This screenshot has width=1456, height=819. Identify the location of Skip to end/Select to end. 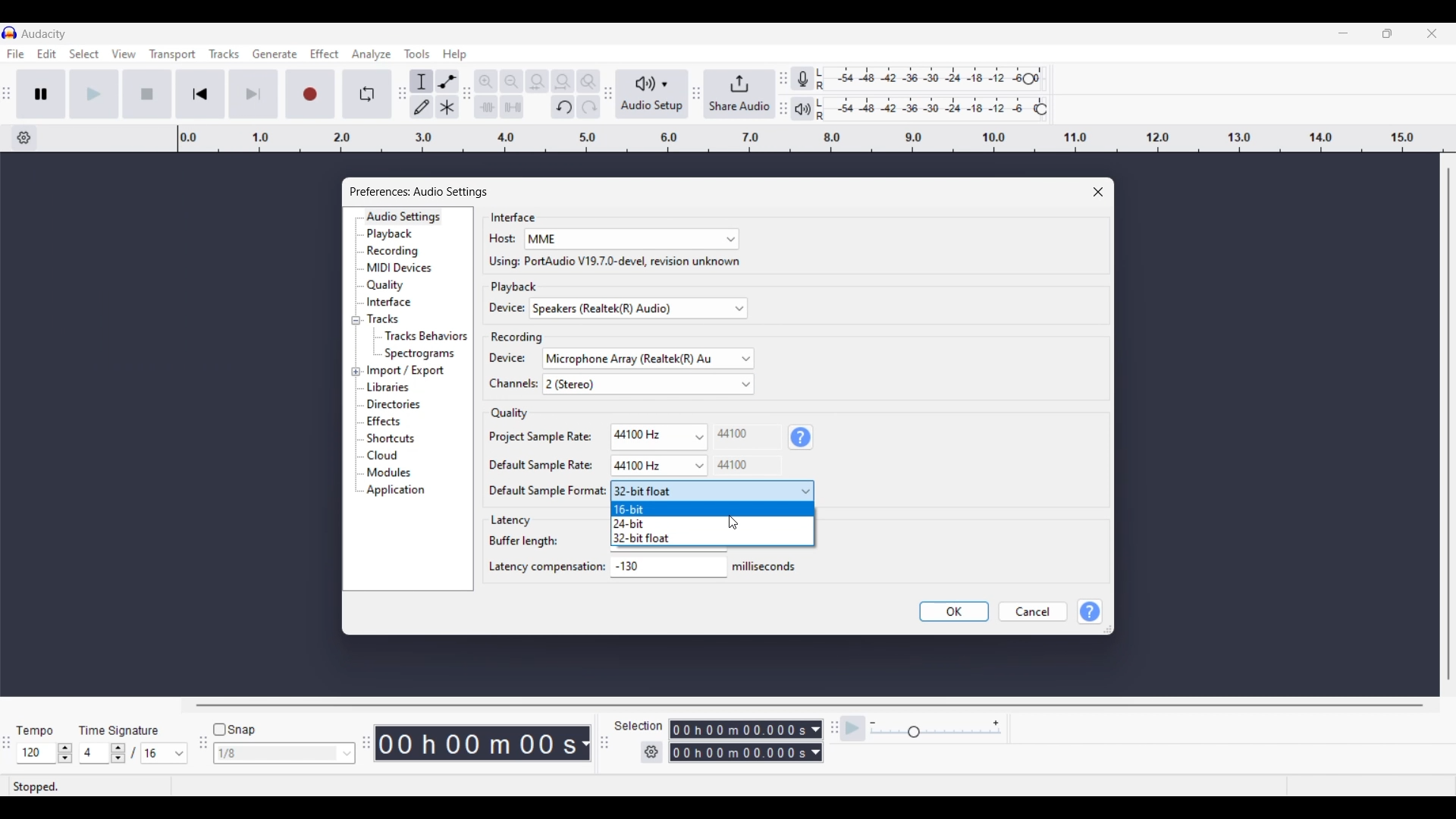
(253, 94).